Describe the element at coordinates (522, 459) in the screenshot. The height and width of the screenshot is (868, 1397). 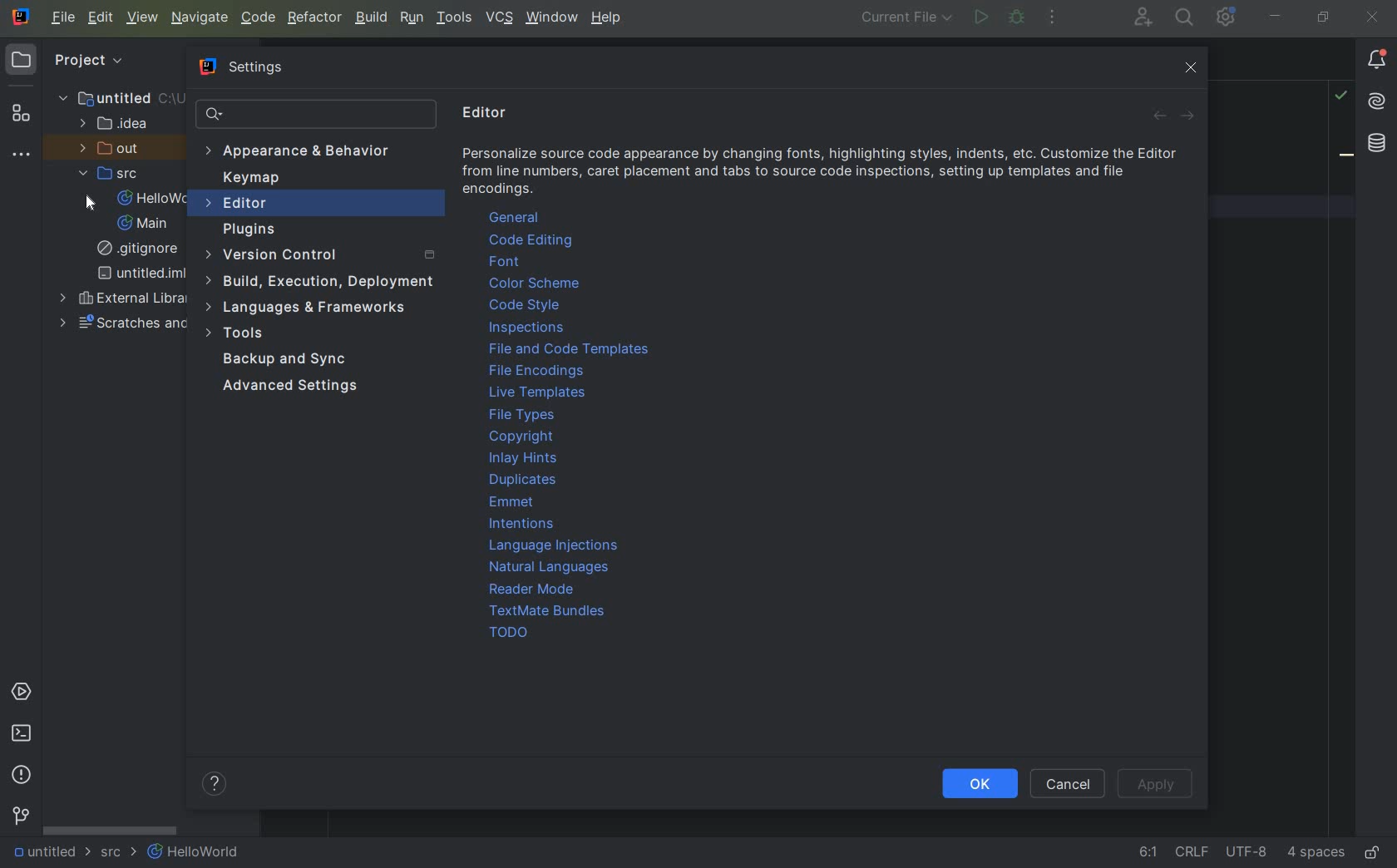
I see `Inlay Hints` at that location.